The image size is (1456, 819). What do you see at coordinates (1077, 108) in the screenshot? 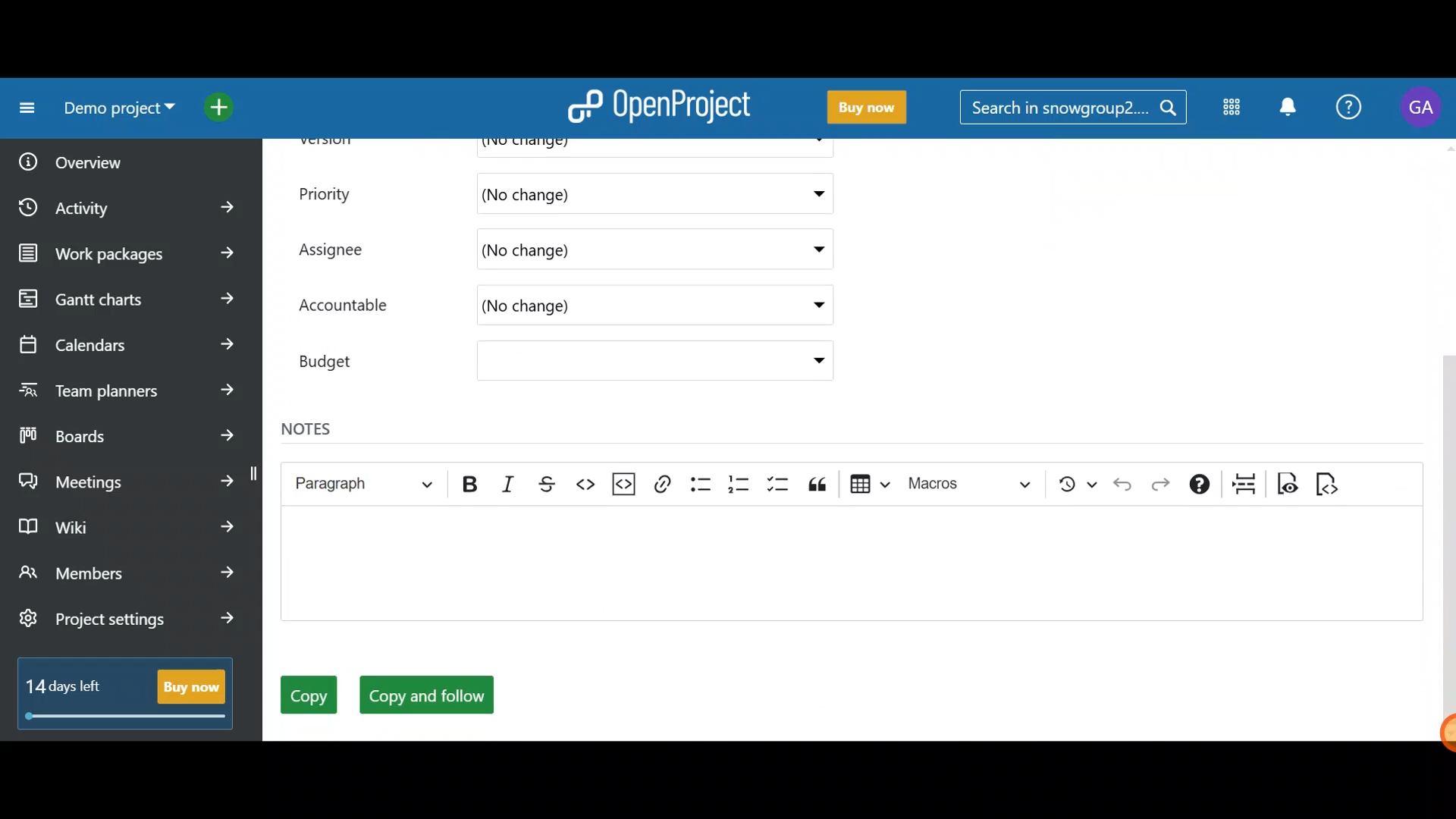
I see `Search in snowgroup?.... ` at bounding box center [1077, 108].